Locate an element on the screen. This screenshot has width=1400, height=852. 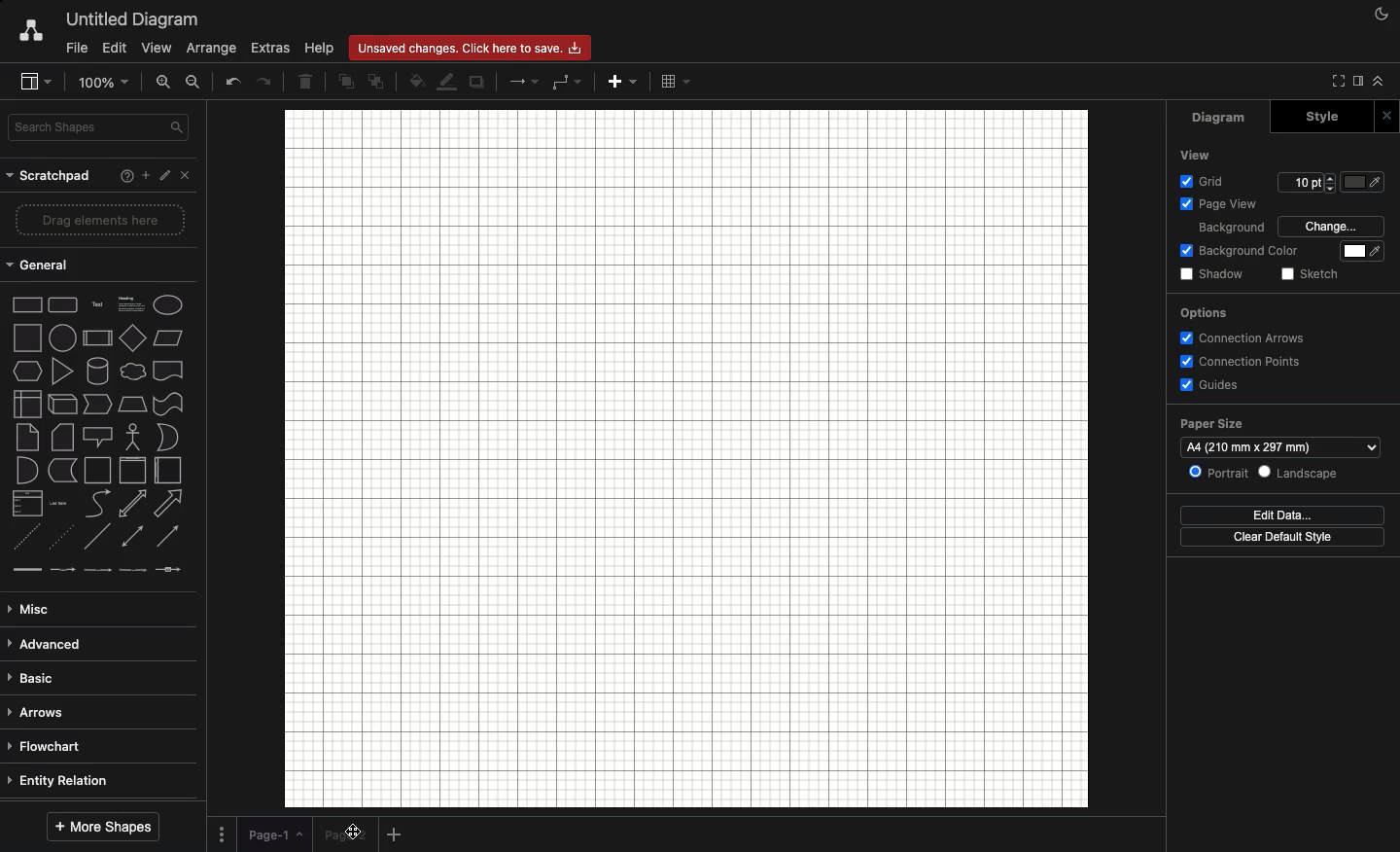
Entity relation is located at coordinates (60, 783).